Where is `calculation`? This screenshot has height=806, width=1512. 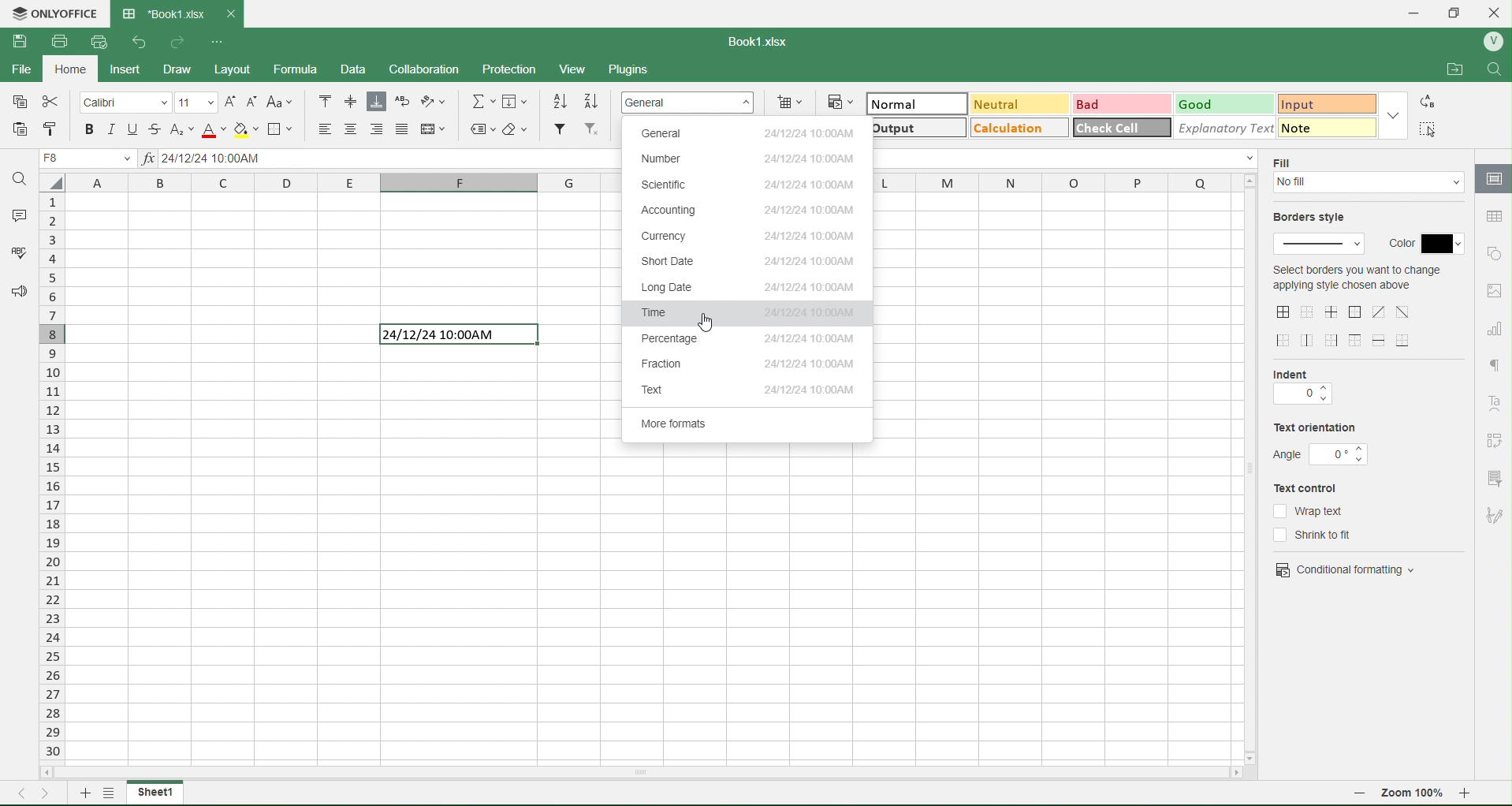
calculation is located at coordinates (1009, 131).